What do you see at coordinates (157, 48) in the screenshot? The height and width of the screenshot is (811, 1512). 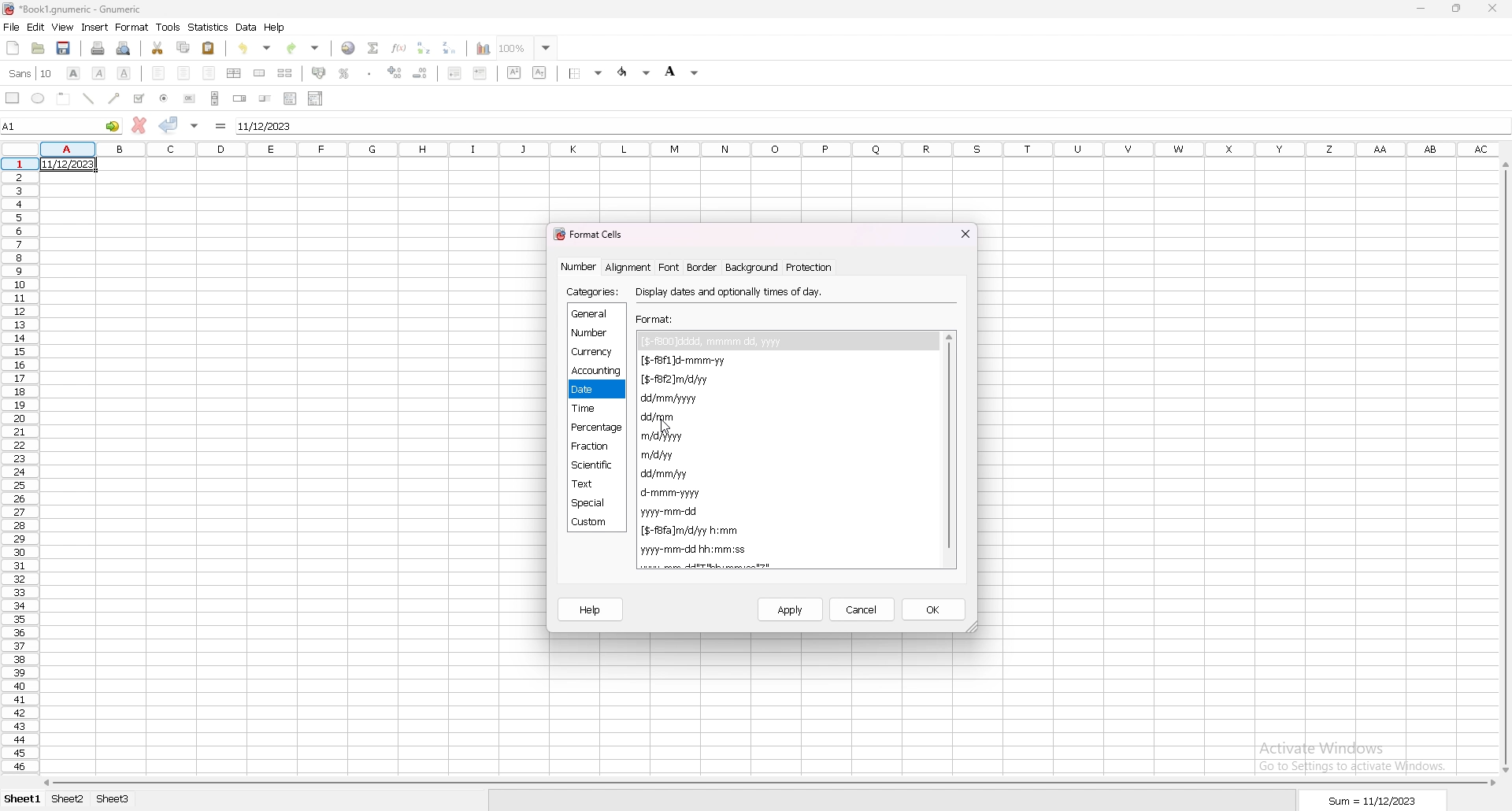 I see `cut` at bounding box center [157, 48].